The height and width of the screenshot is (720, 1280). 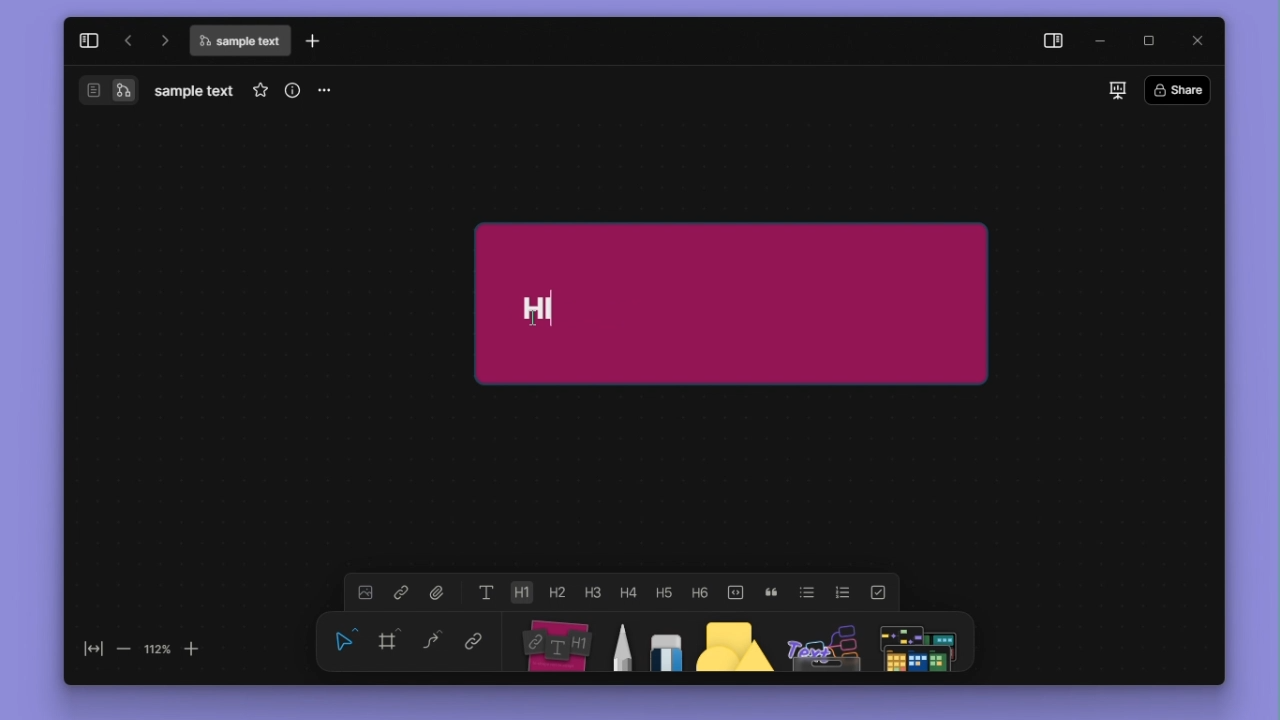 I want to click on Heading 3, so click(x=592, y=592).